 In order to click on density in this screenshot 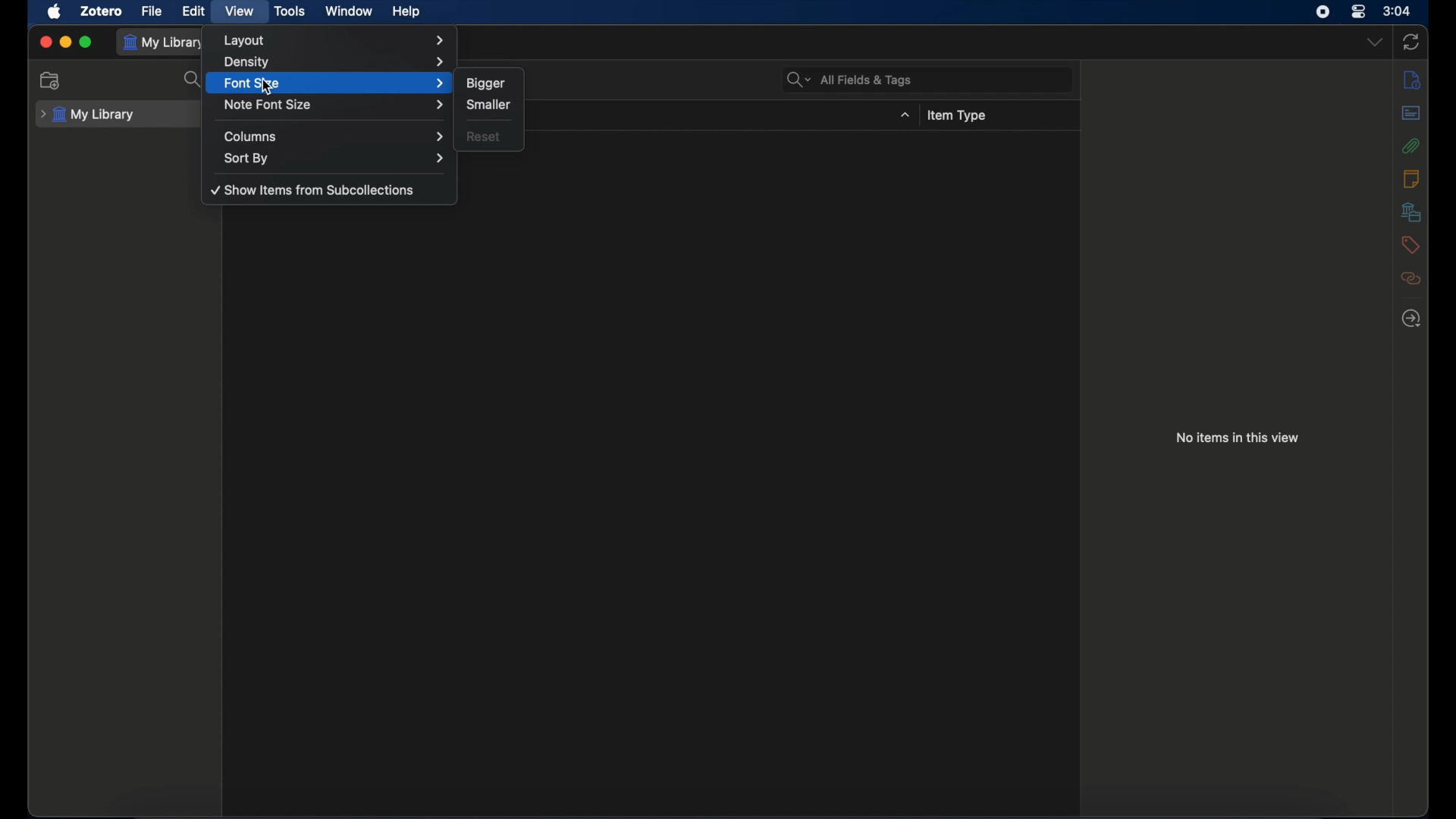, I will do `click(335, 62)`.